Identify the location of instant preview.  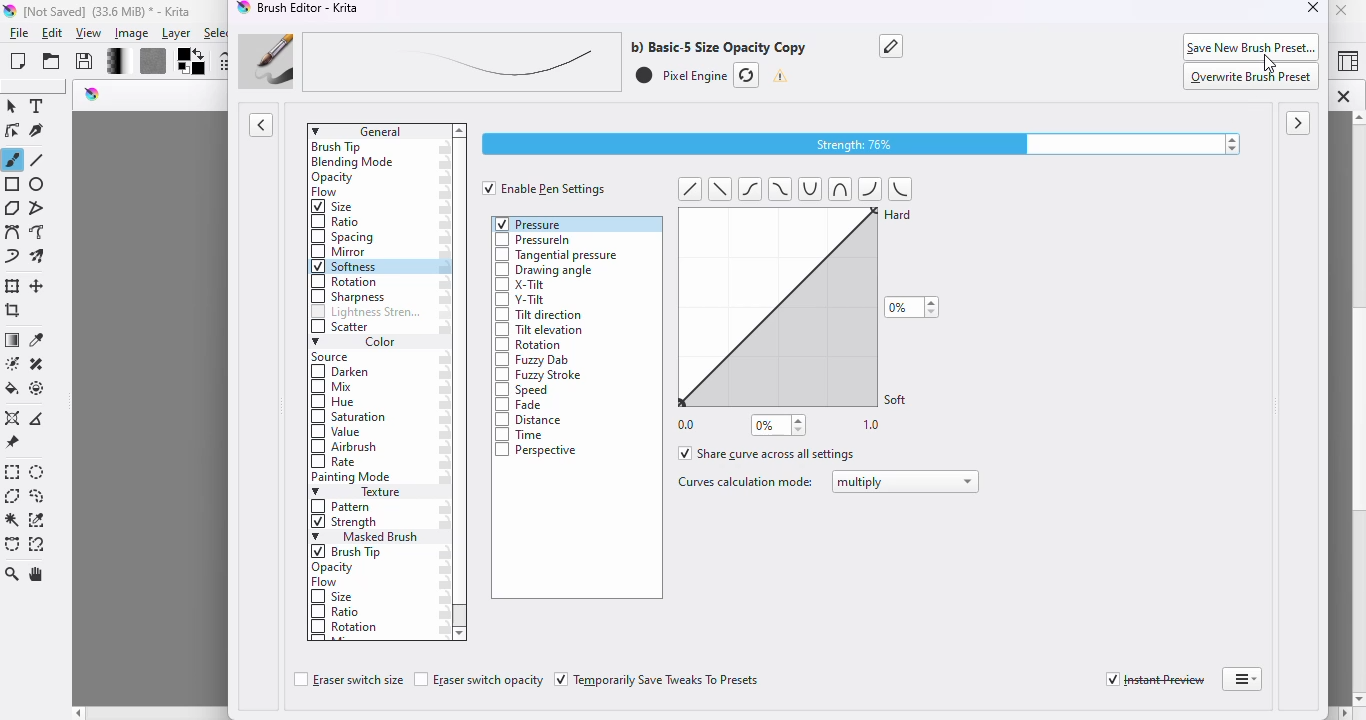
(1155, 680).